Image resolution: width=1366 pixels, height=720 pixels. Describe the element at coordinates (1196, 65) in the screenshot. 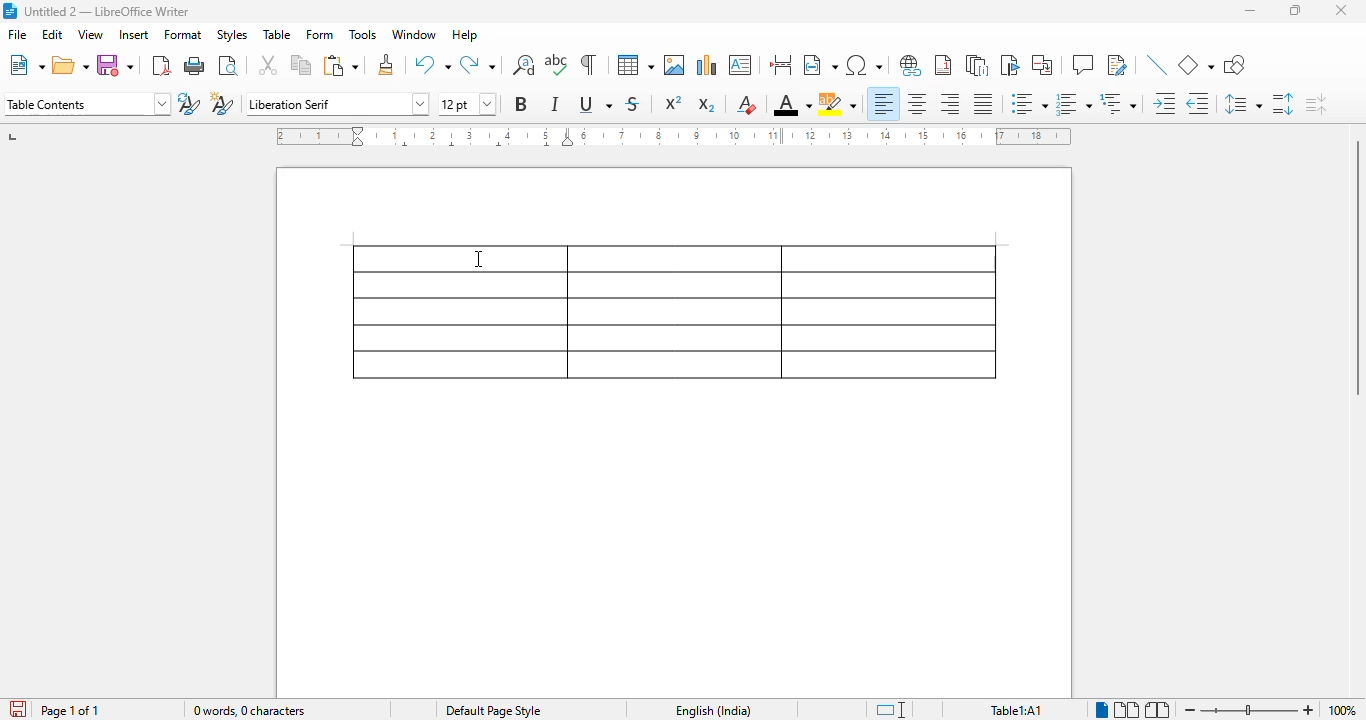

I see `basic shapes` at that location.